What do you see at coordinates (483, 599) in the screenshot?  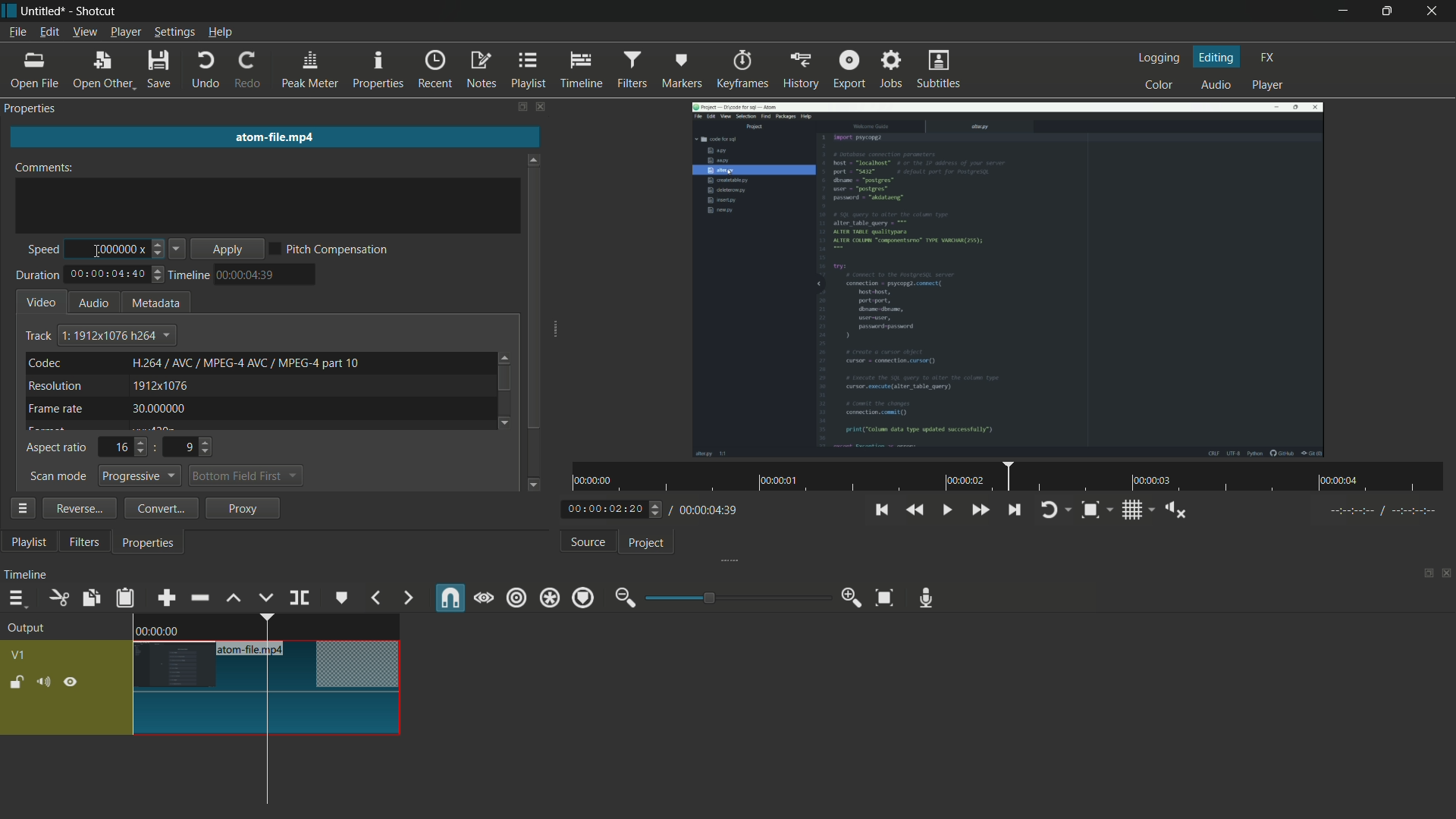 I see `scrub while dragging` at bounding box center [483, 599].